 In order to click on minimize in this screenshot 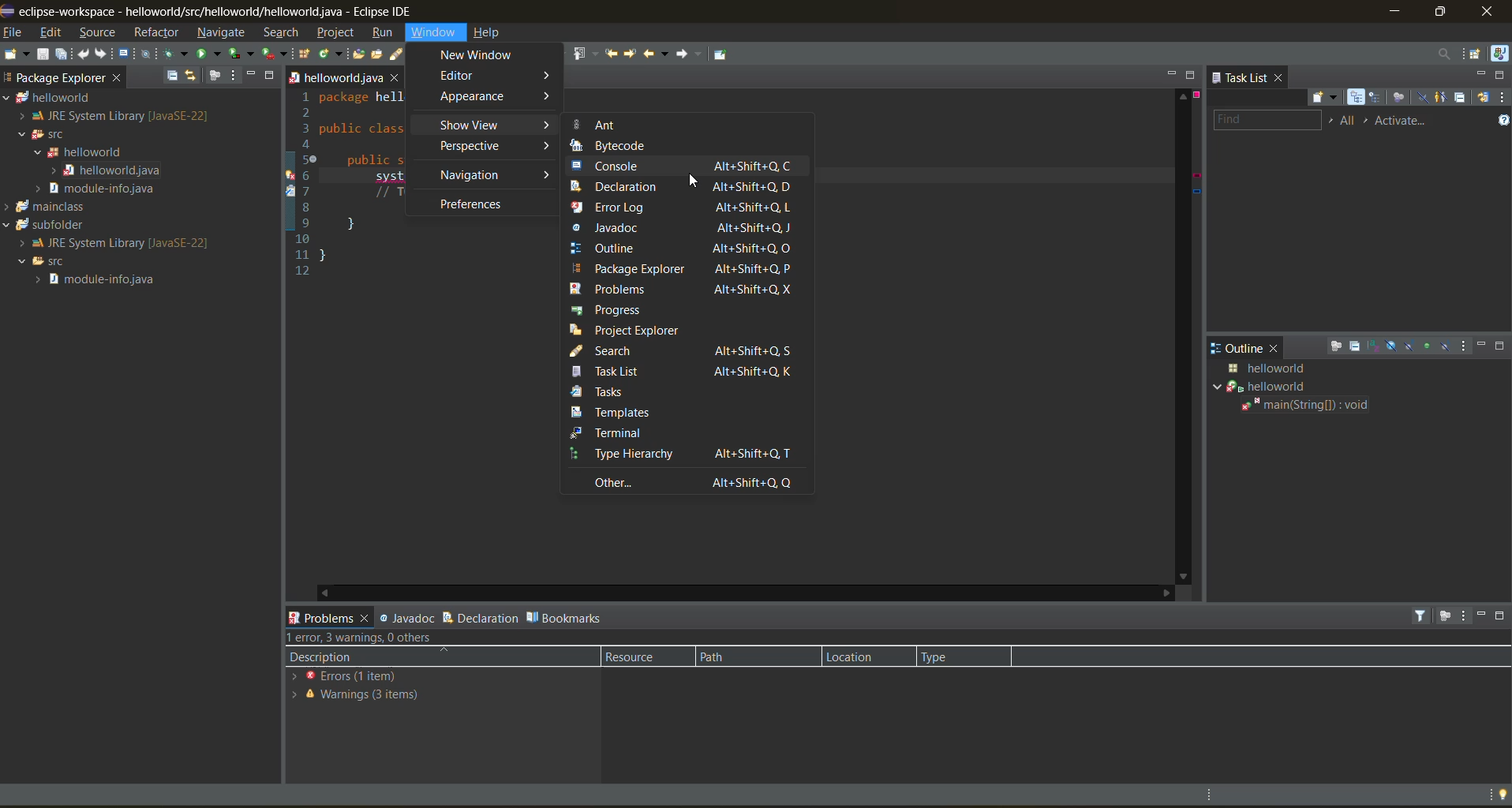, I will do `click(251, 75)`.